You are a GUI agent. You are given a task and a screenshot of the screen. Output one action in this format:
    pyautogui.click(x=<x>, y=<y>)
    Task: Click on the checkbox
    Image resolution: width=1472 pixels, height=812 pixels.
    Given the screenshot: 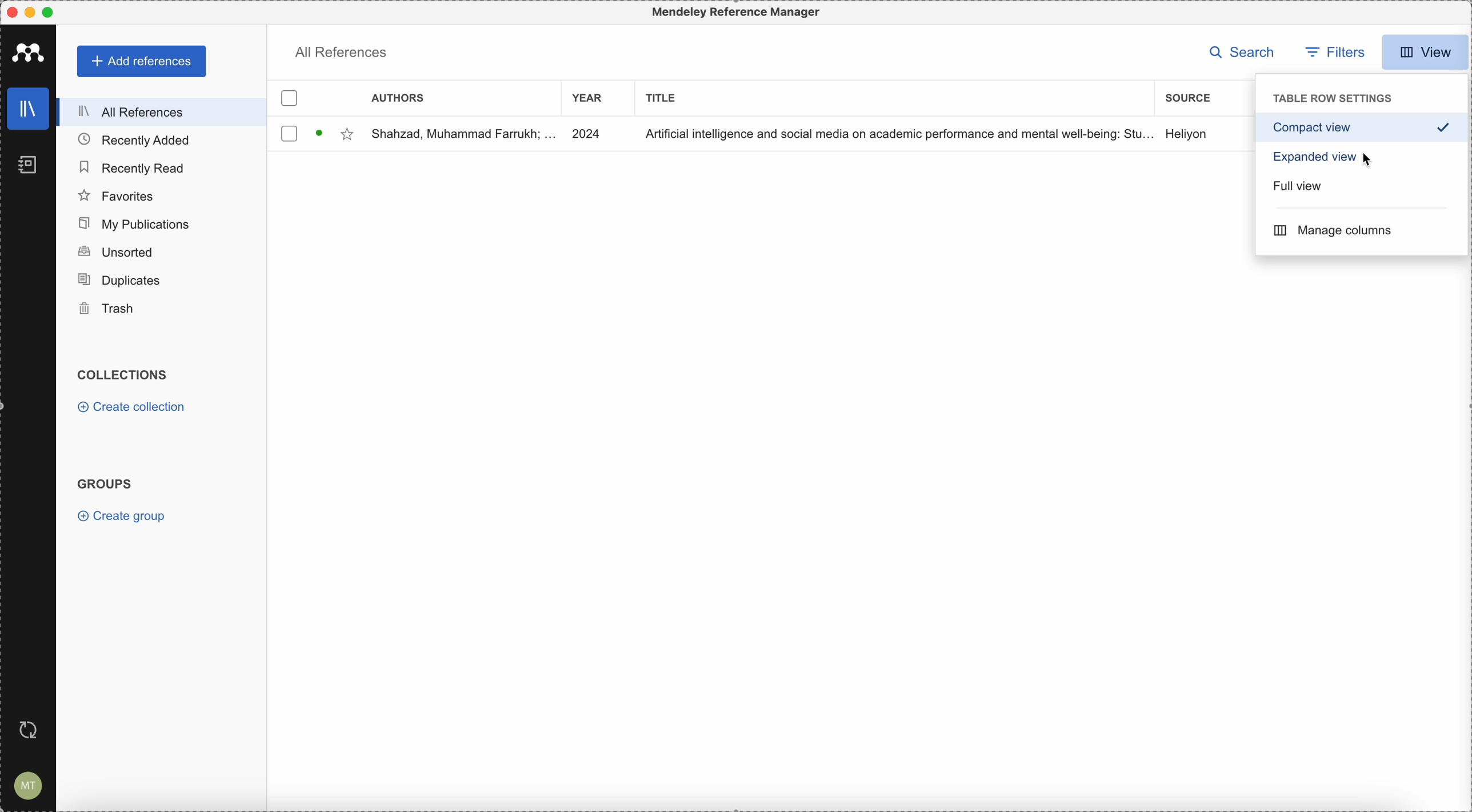 What is the action you would take?
    pyautogui.click(x=293, y=99)
    